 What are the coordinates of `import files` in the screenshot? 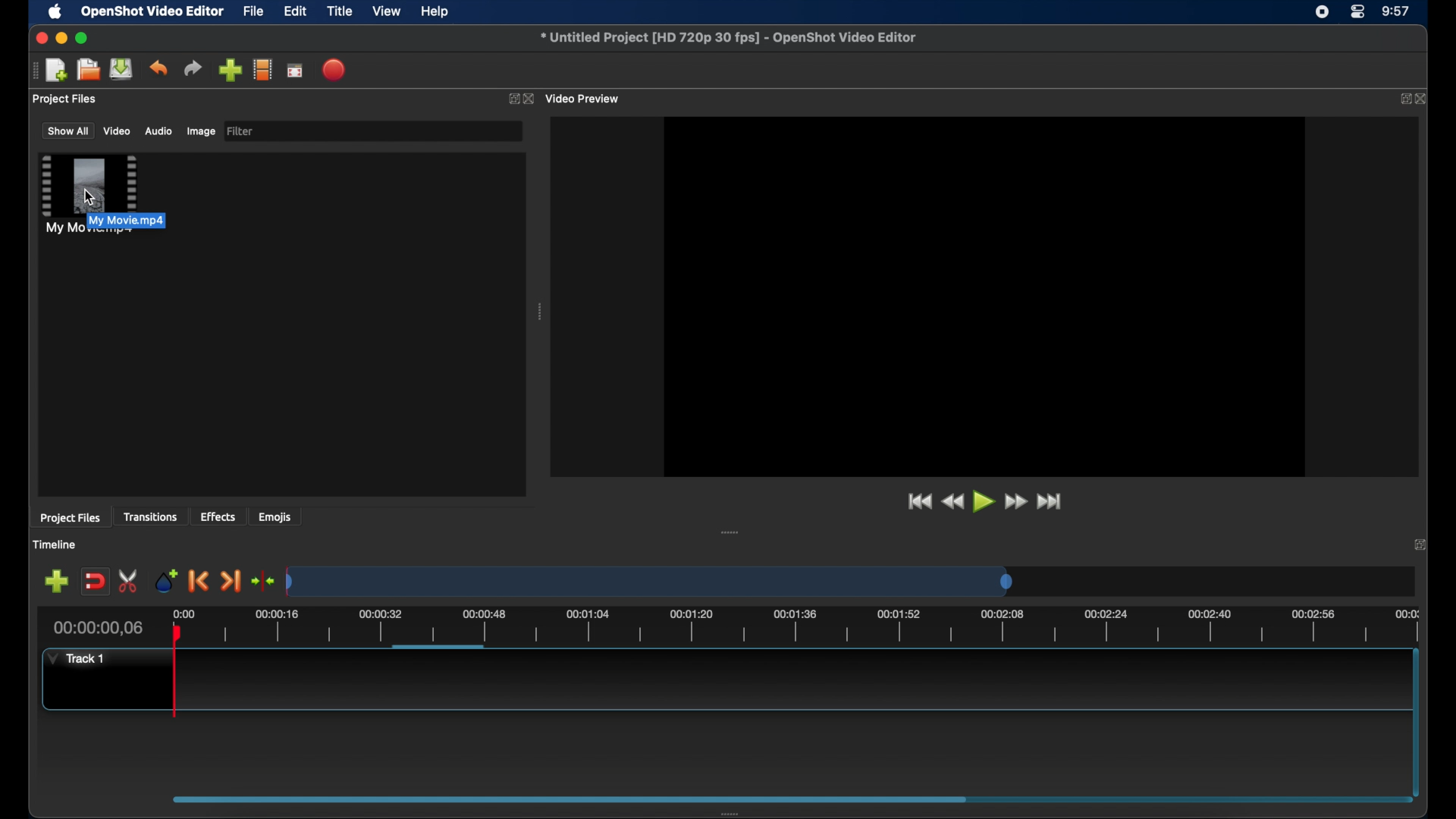 It's located at (230, 71).